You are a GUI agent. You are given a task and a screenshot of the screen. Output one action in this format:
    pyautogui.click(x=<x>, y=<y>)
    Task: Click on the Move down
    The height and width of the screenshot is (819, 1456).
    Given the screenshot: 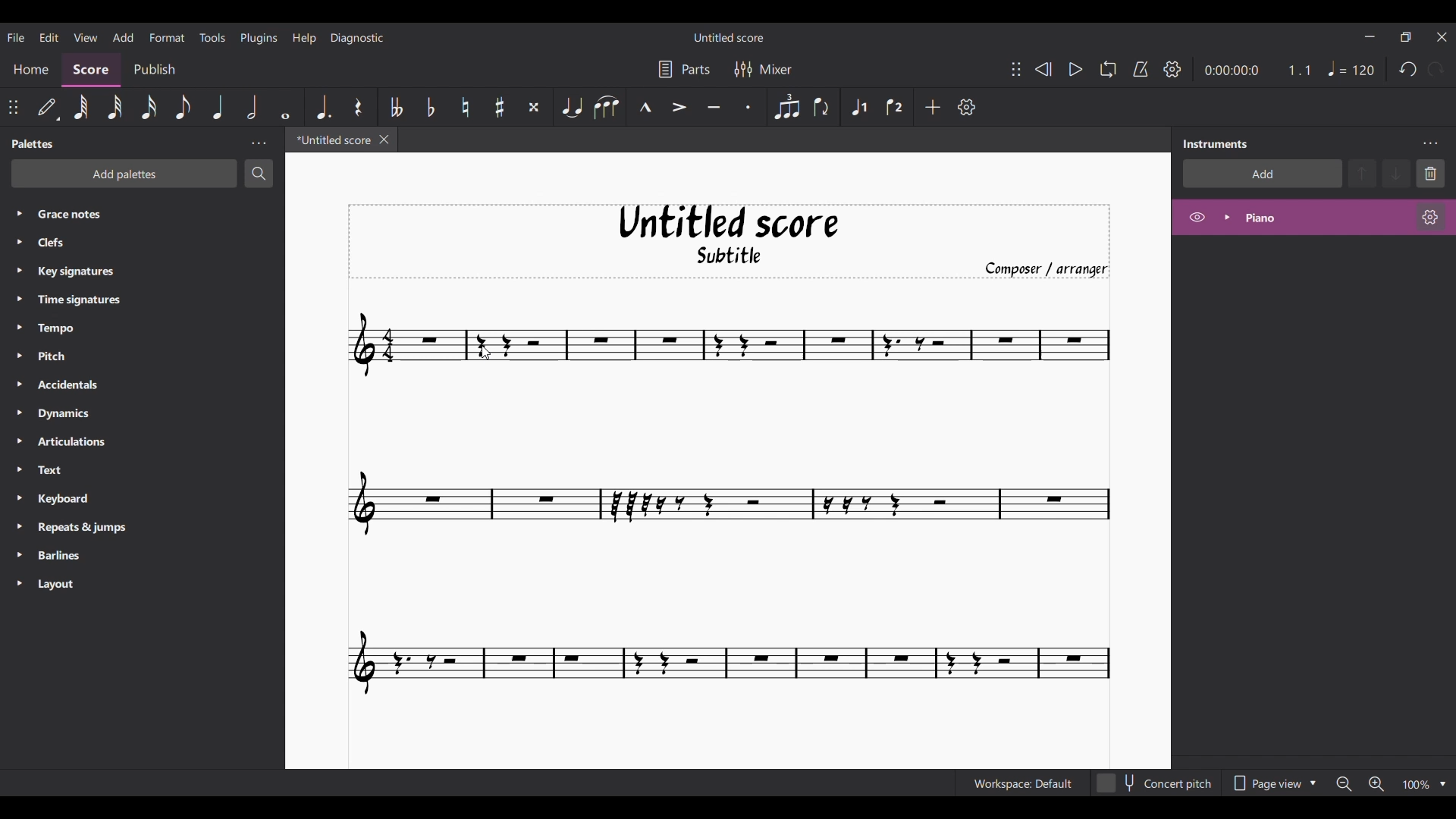 What is the action you would take?
    pyautogui.click(x=1396, y=173)
    